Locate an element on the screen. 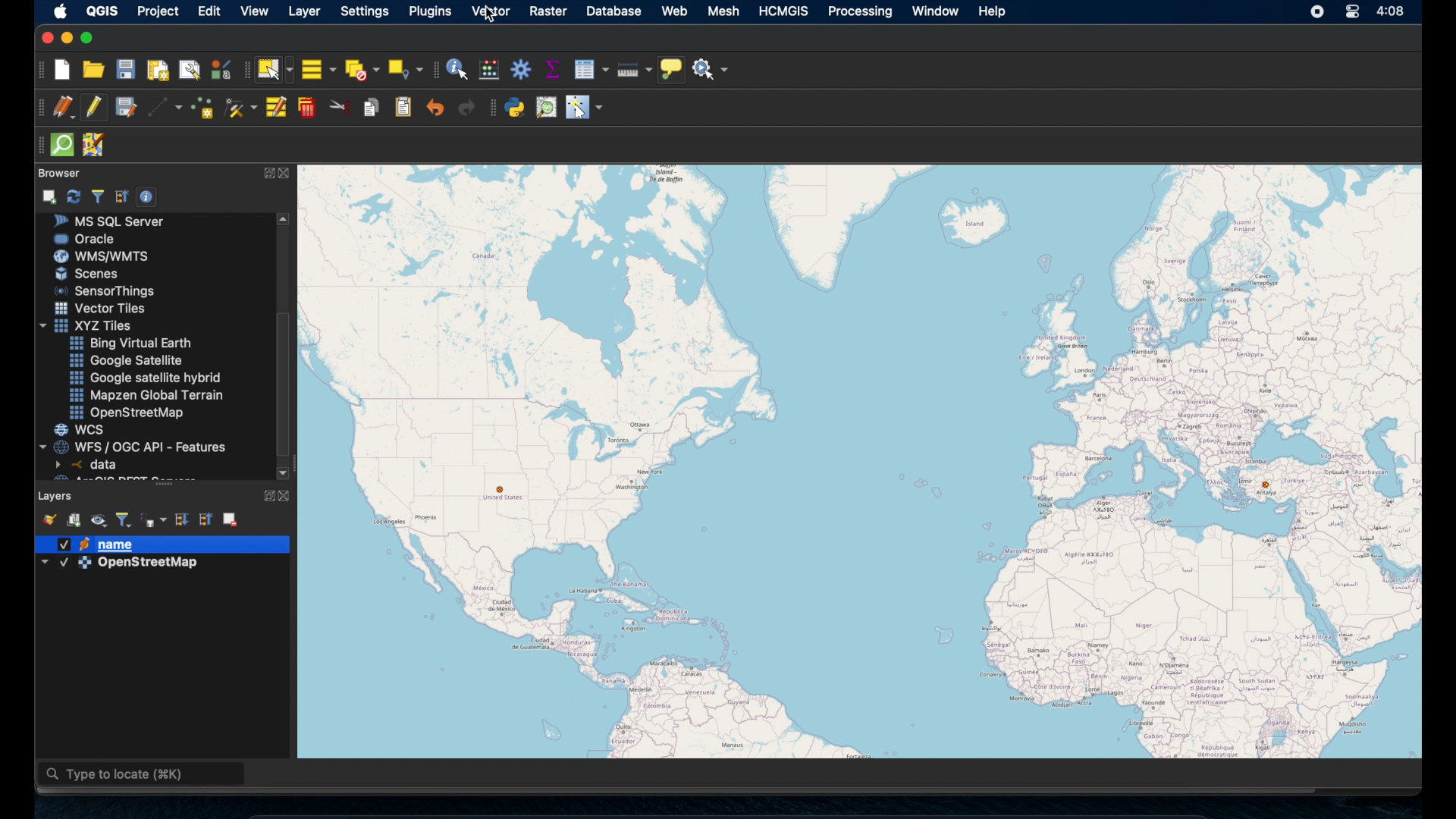 This screenshot has width=1456, height=819. help is located at coordinates (993, 11).